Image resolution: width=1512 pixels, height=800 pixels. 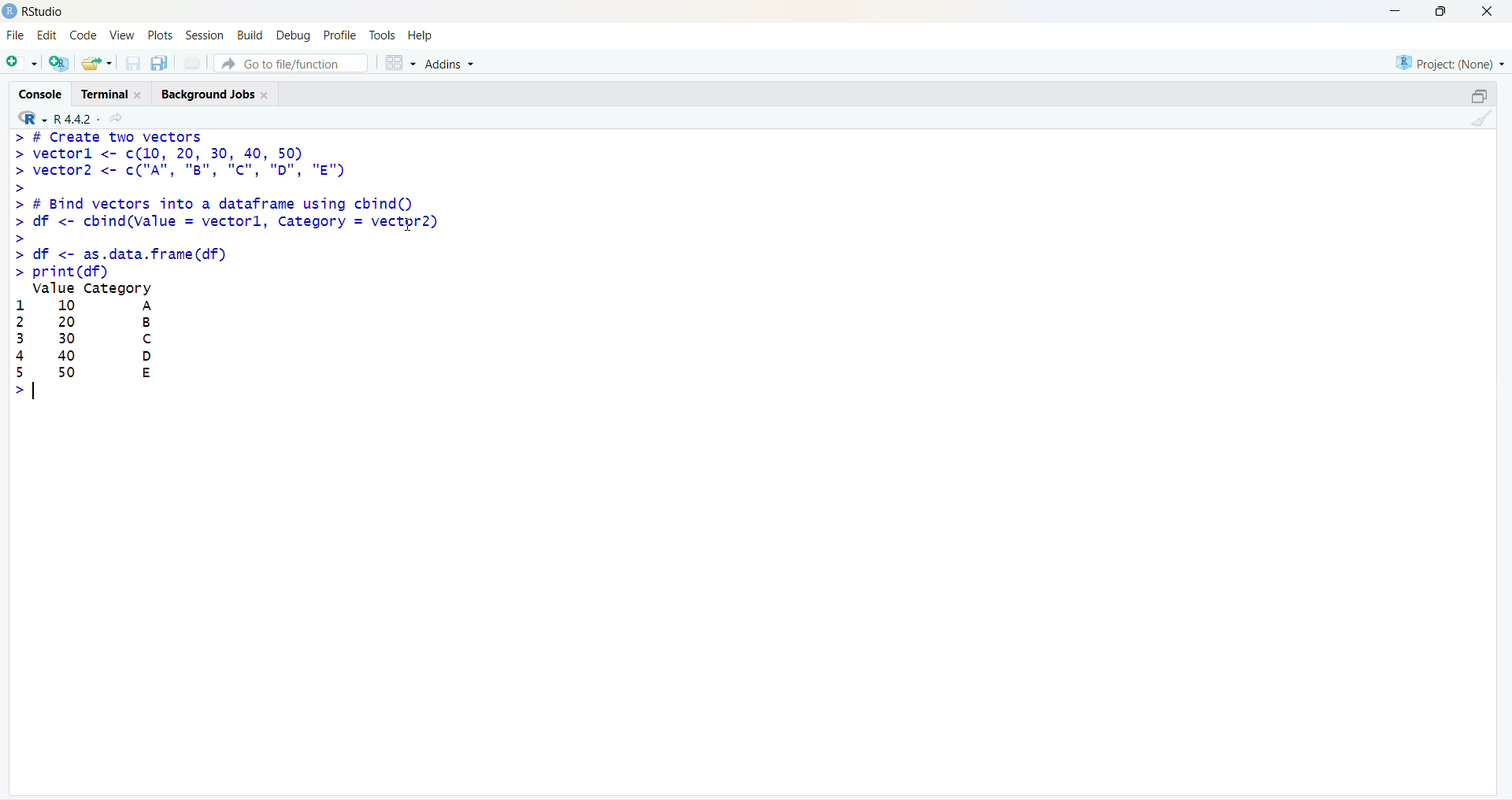 I want to click on workspace panes, so click(x=399, y=64).